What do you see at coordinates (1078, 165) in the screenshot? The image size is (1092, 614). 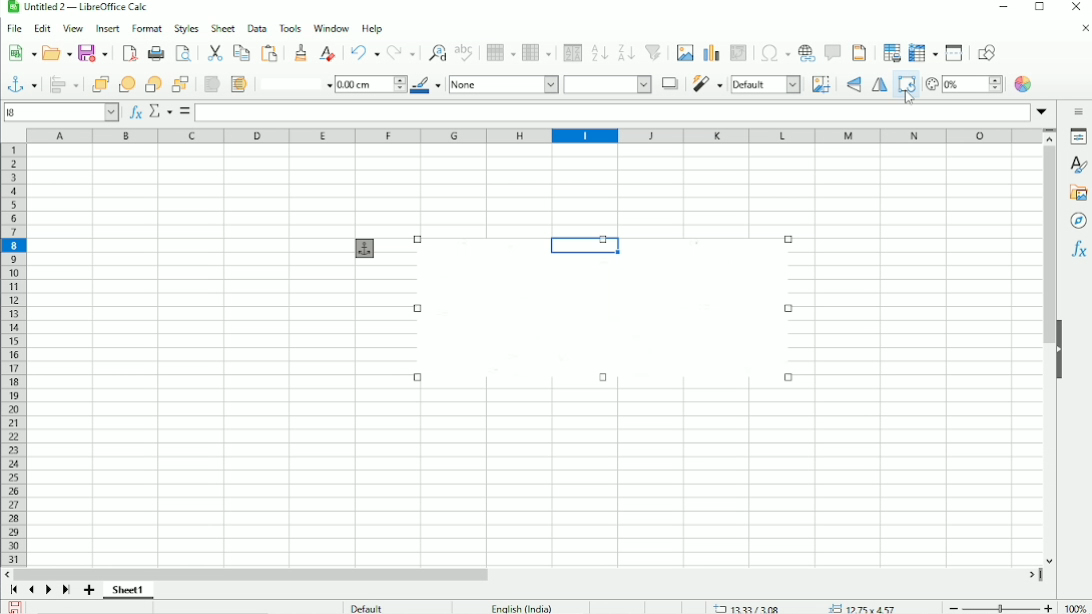 I see `Styles` at bounding box center [1078, 165].